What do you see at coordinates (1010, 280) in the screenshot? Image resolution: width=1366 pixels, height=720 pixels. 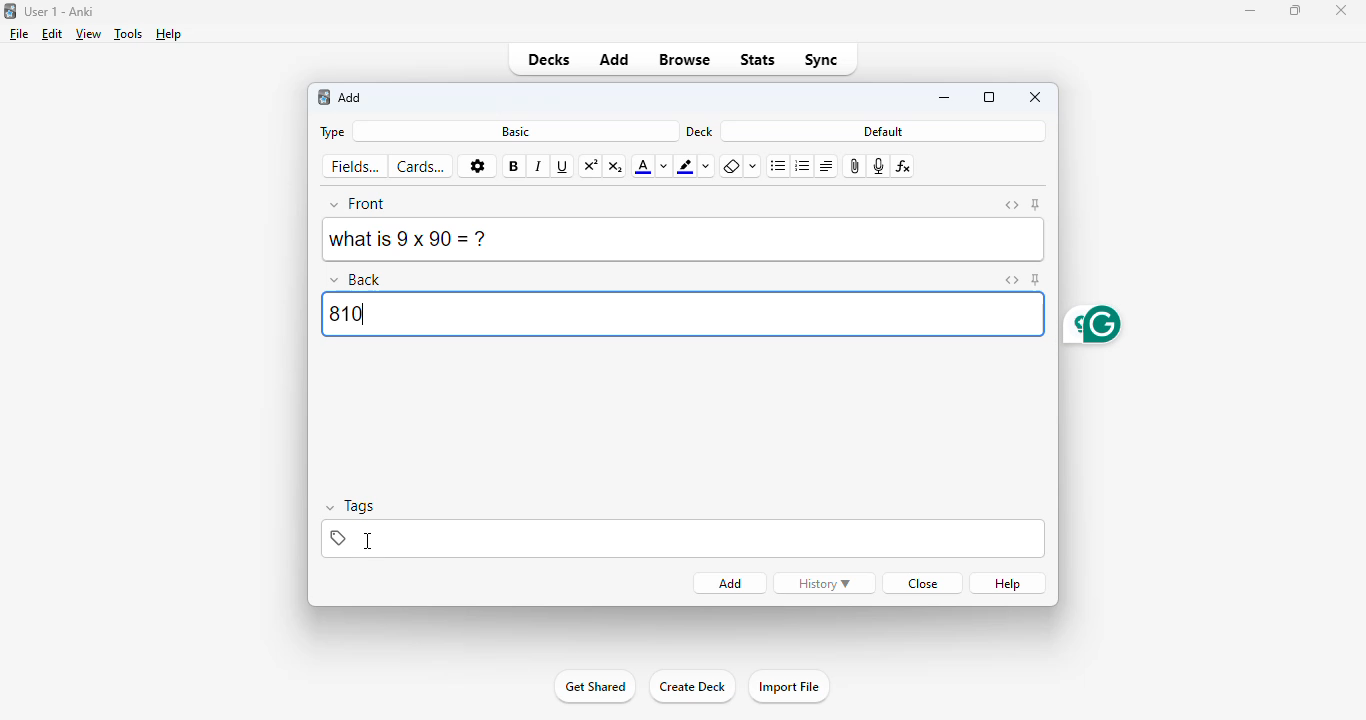 I see `toggle HTML editor` at bounding box center [1010, 280].